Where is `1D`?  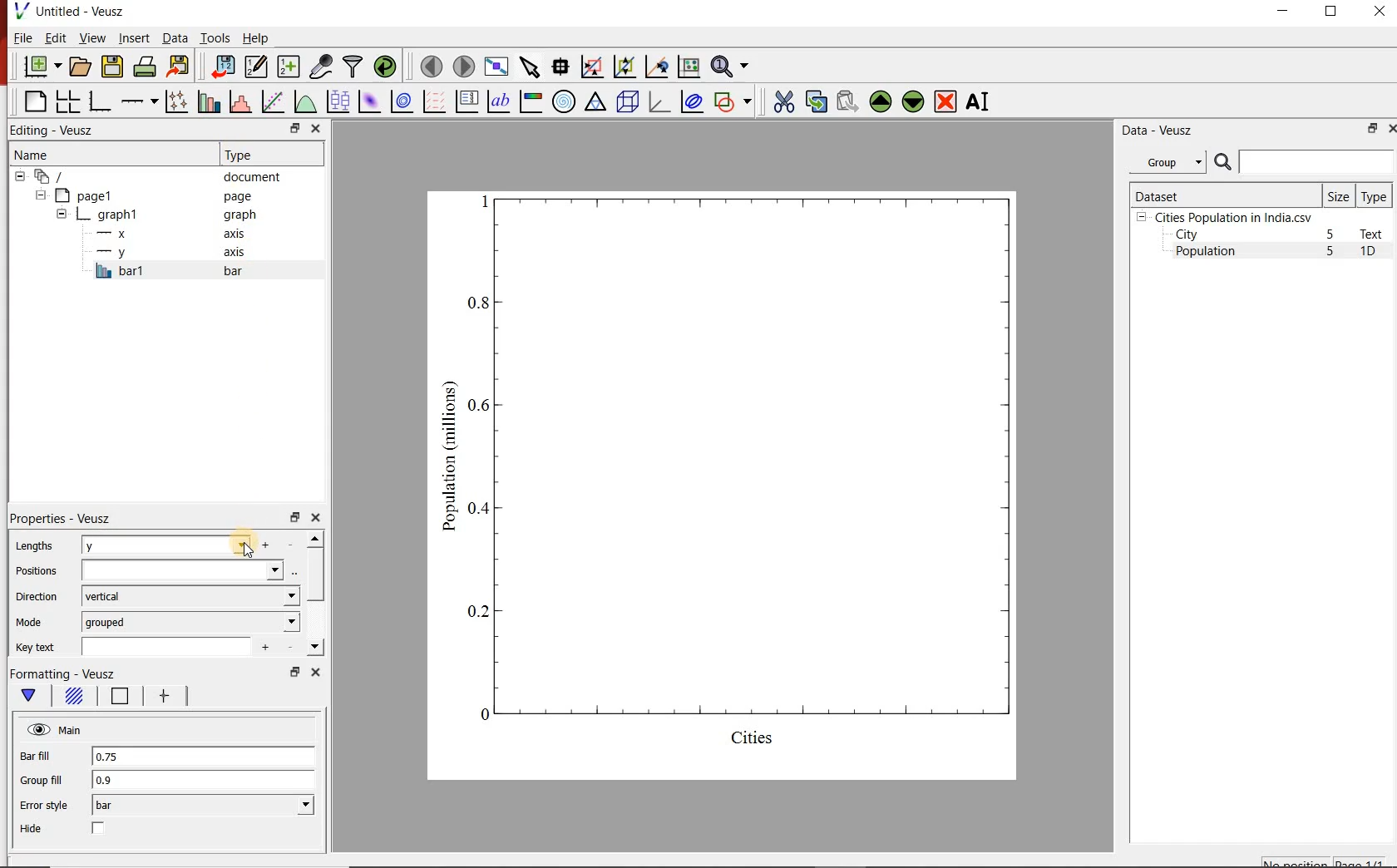 1D is located at coordinates (1375, 253).